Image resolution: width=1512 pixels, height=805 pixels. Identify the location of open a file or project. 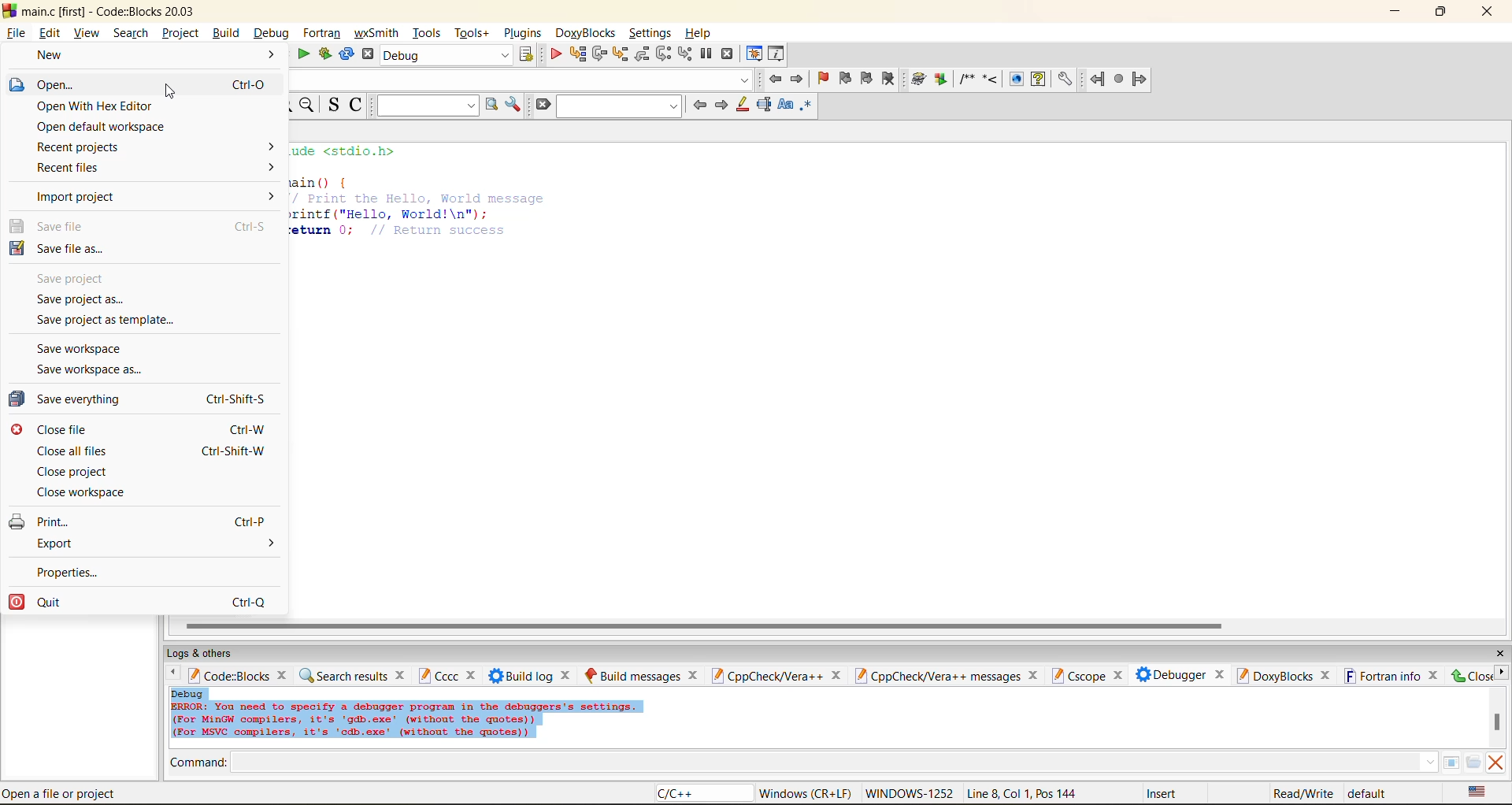
(65, 793).